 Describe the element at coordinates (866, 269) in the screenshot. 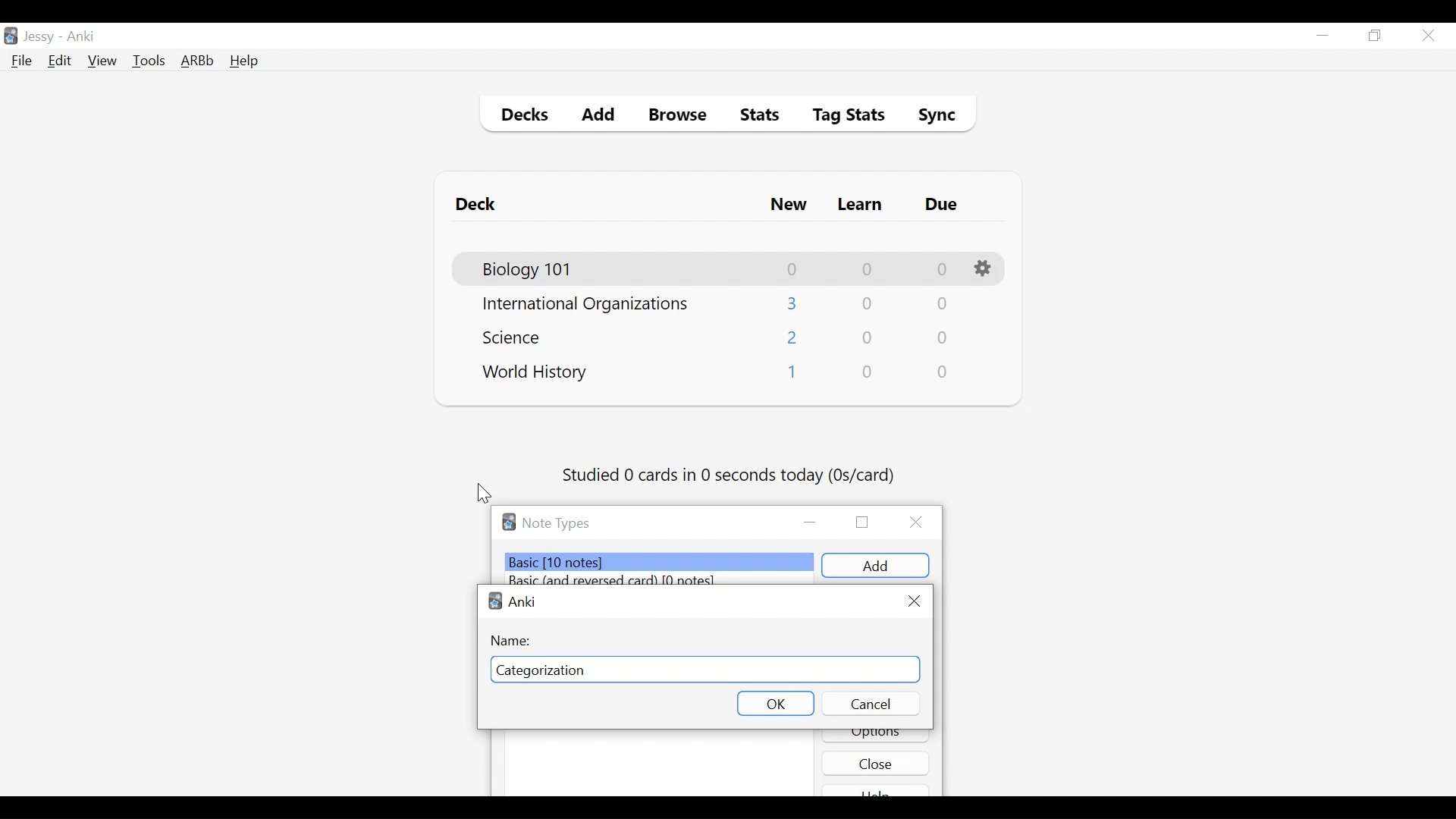

I see `Learn Card Count` at that location.